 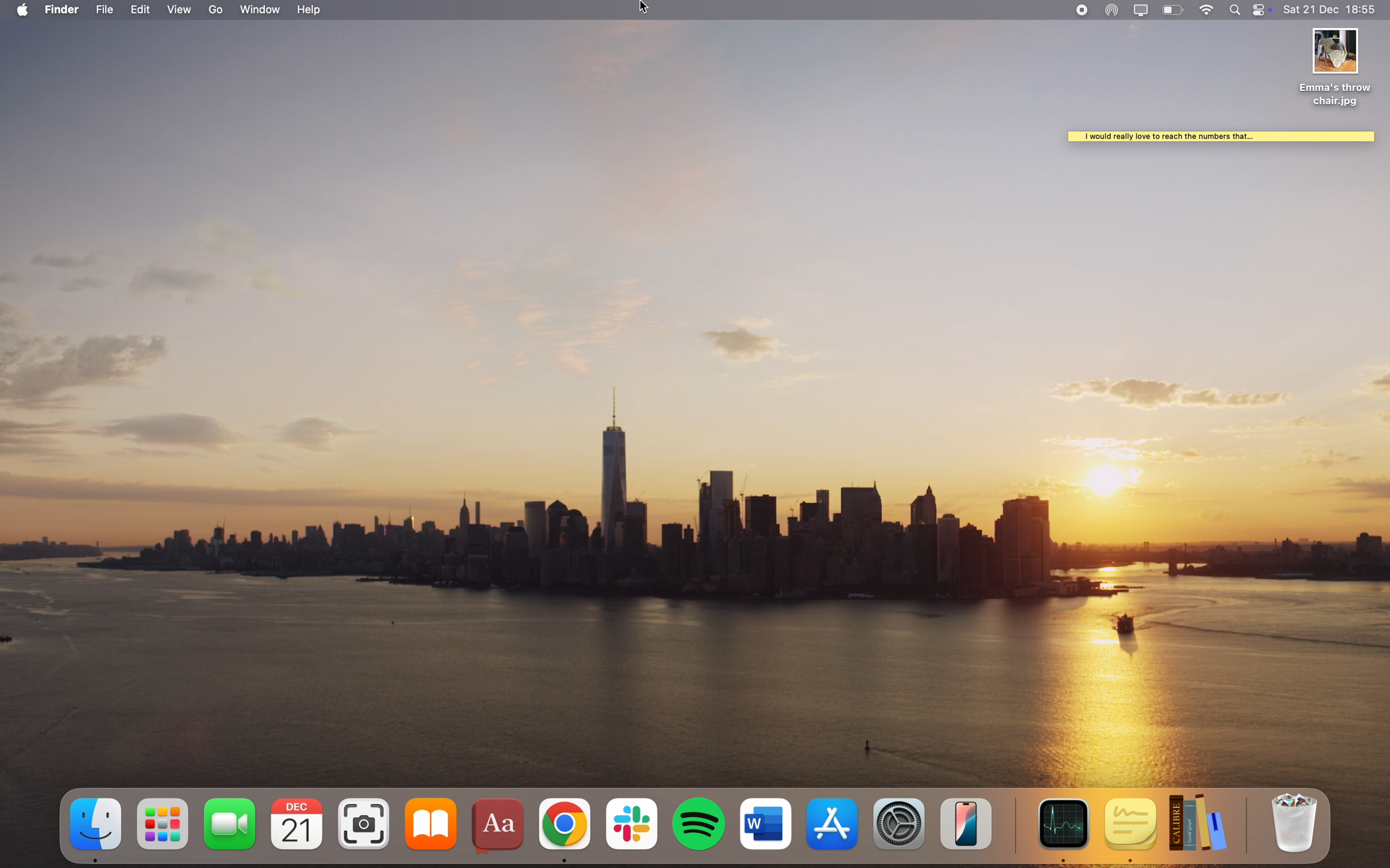 What do you see at coordinates (366, 829) in the screenshot?
I see `screenshot` at bounding box center [366, 829].